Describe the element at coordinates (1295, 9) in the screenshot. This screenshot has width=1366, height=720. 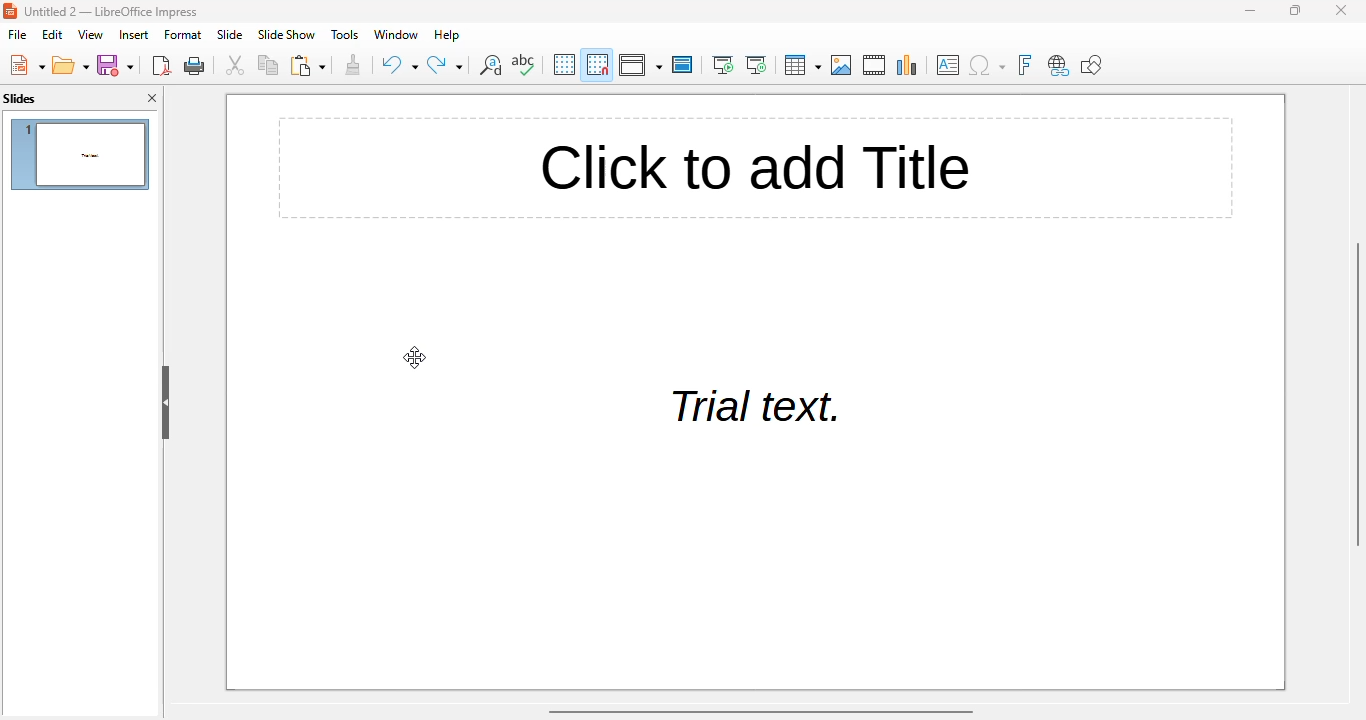
I see `maximize` at that location.